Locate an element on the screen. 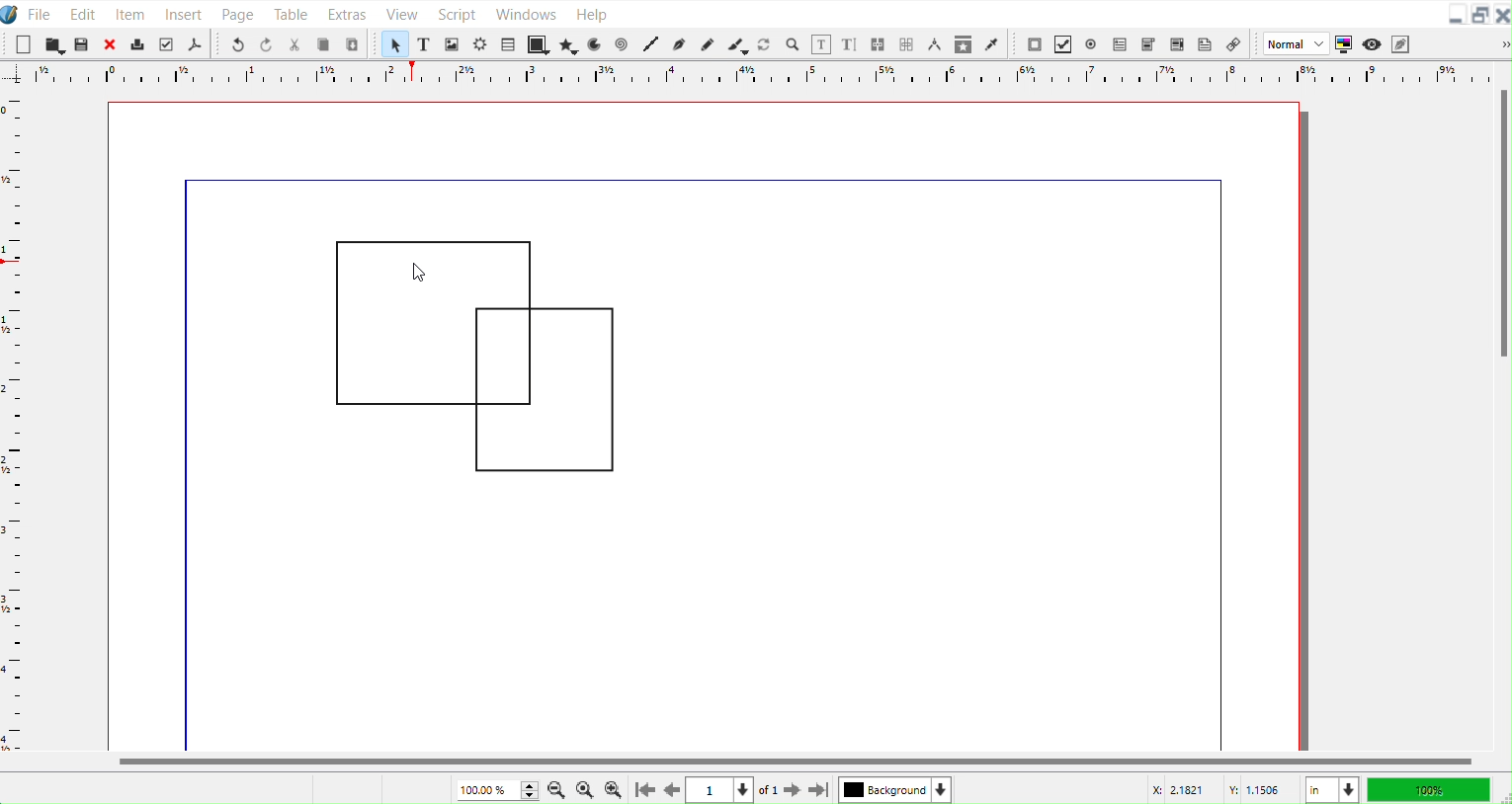  Y Co-ordinate is located at coordinates (1260, 791).